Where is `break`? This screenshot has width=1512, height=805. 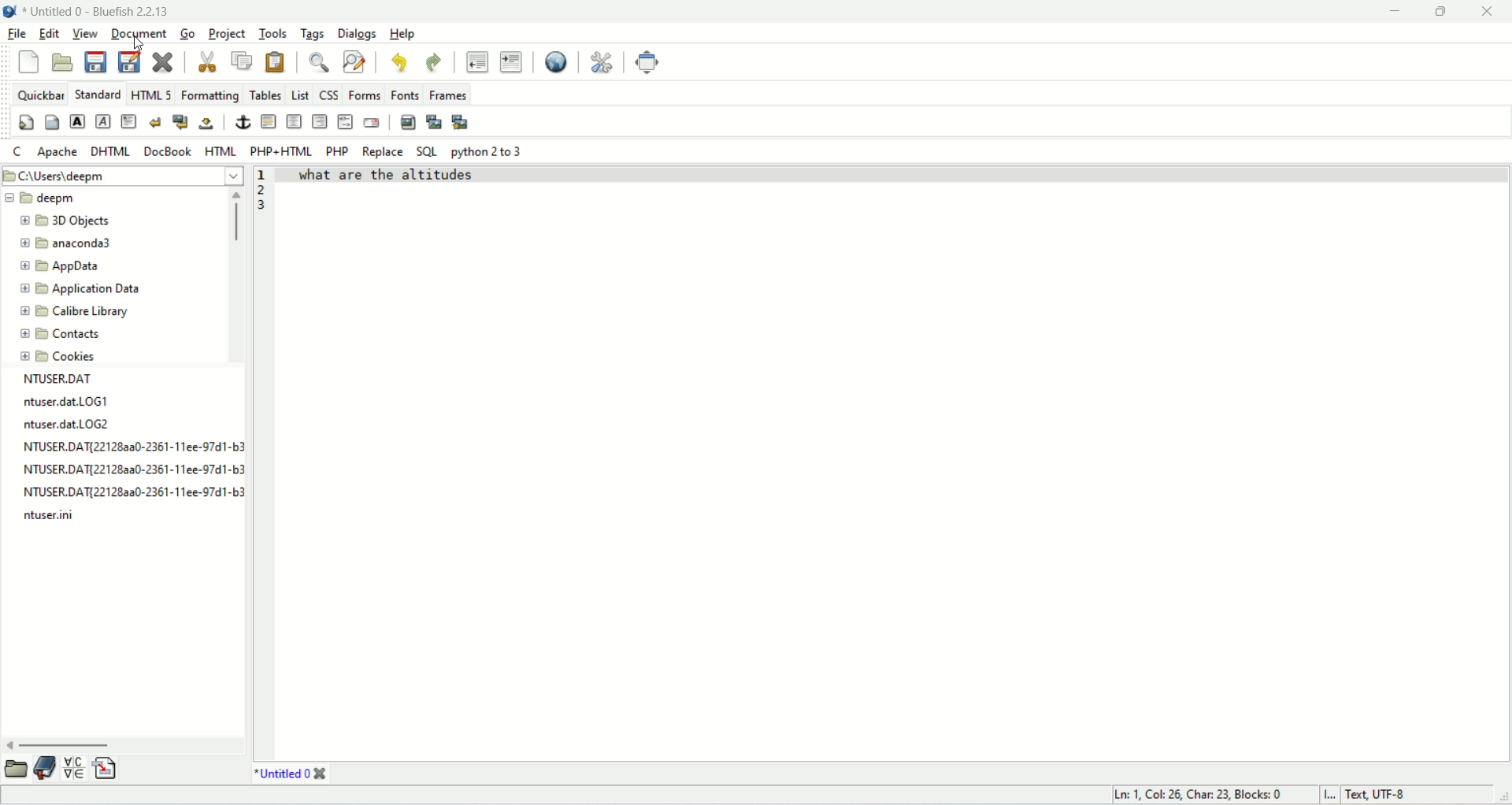 break is located at coordinates (154, 122).